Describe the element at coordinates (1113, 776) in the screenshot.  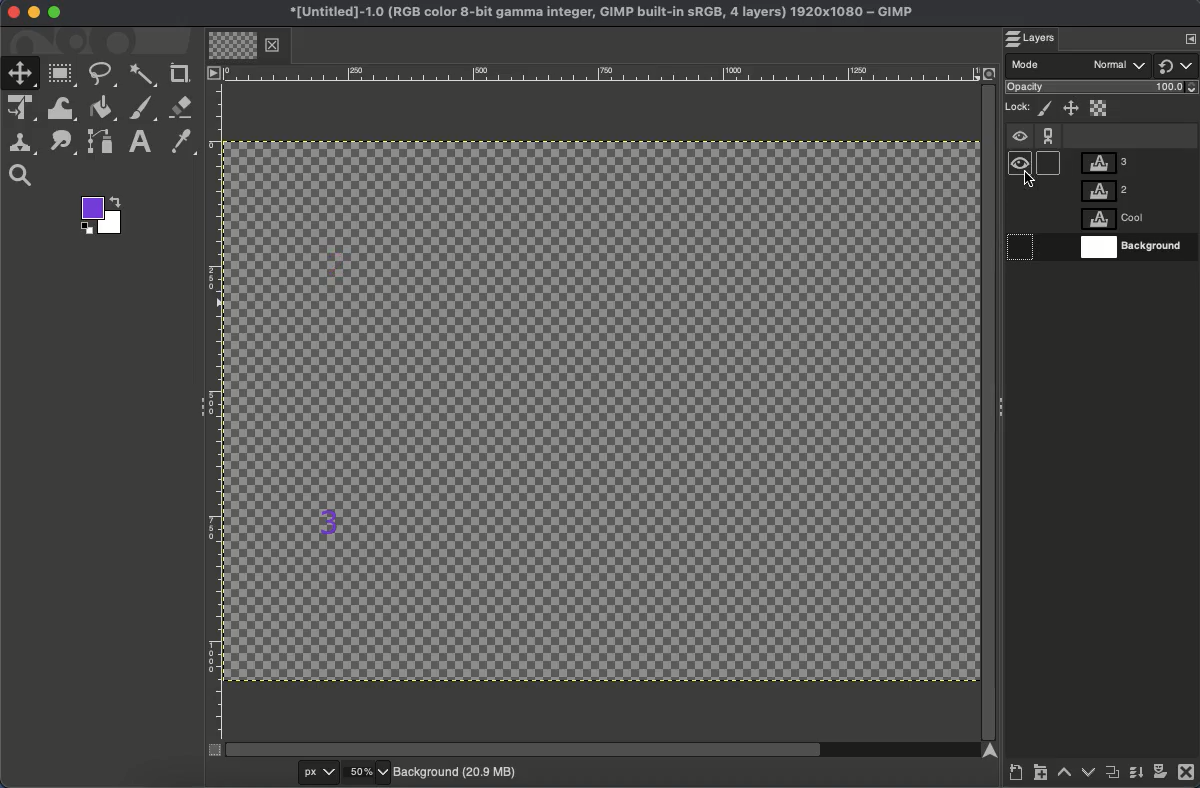
I see `Duplicate` at that location.